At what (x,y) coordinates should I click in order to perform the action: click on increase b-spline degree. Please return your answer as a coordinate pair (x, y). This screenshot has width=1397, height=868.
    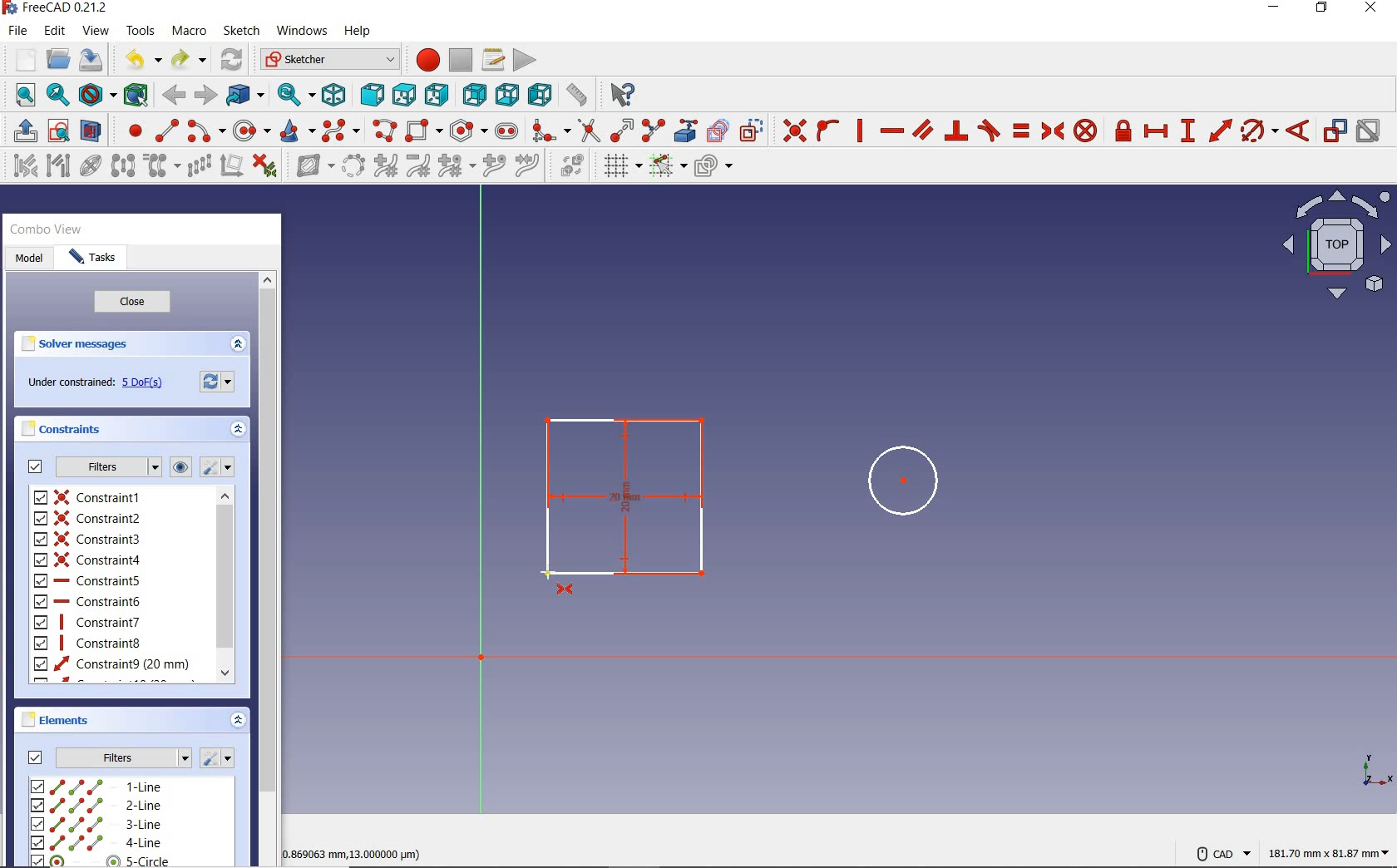
    Looking at the image, I should click on (385, 167).